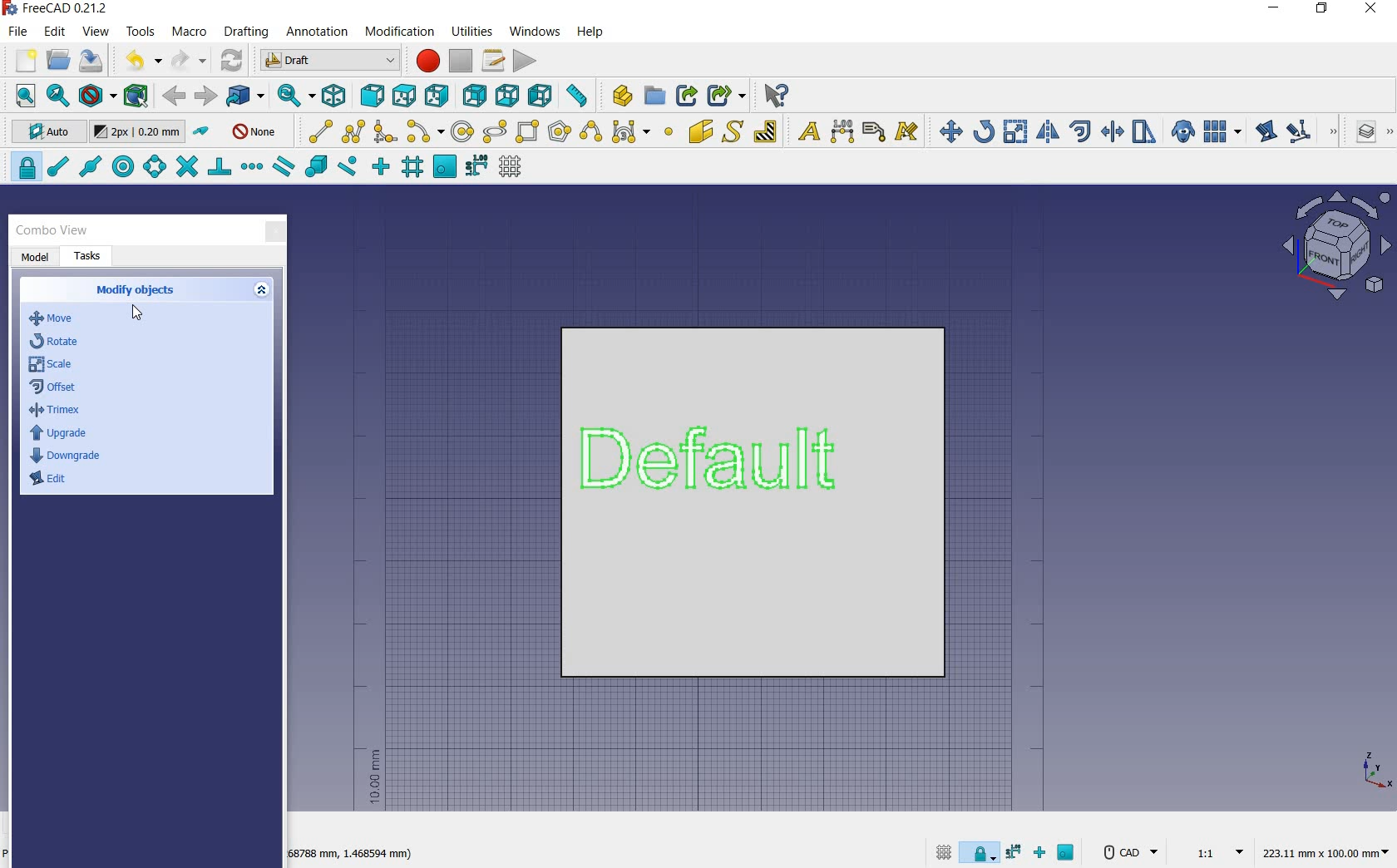 This screenshot has width=1397, height=868. What do you see at coordinates (373, 777) in the screenshot?
I see `10mm` at bounding box center [373, 777].